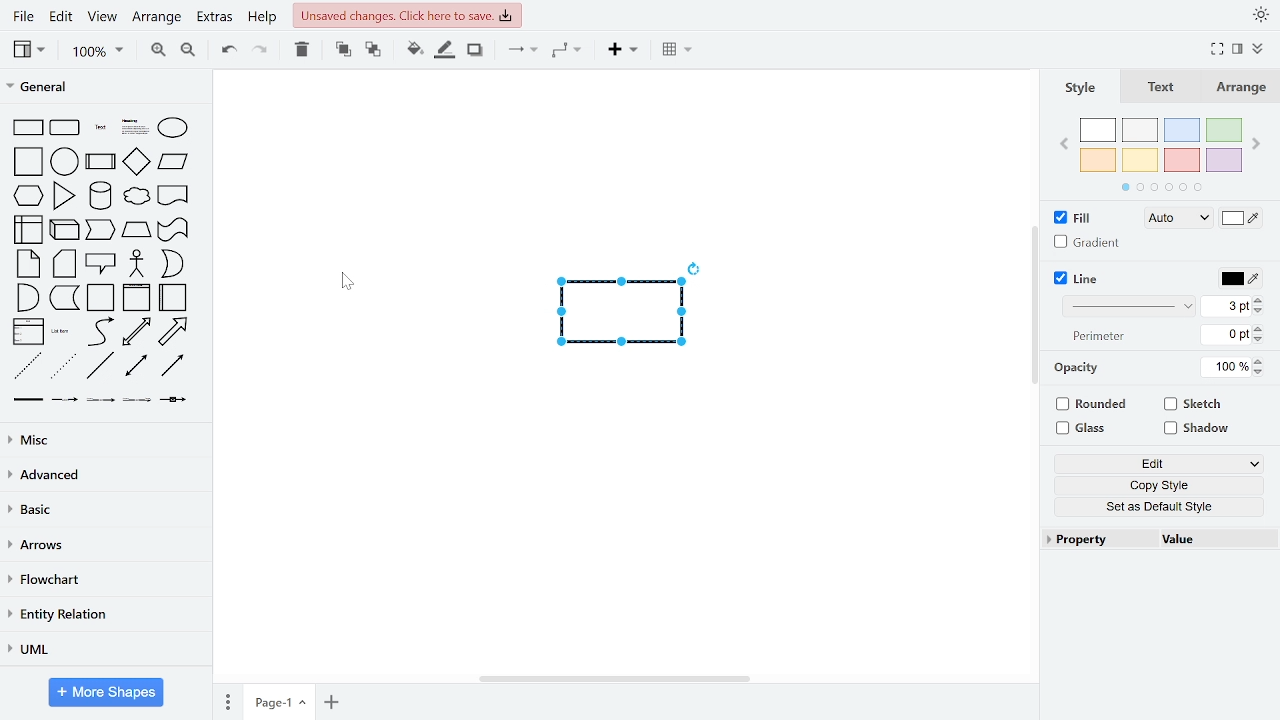  What do you see at coordinates (157, 52) in the screenshot?
I see `zoom in` at bounding box center [157, 52].